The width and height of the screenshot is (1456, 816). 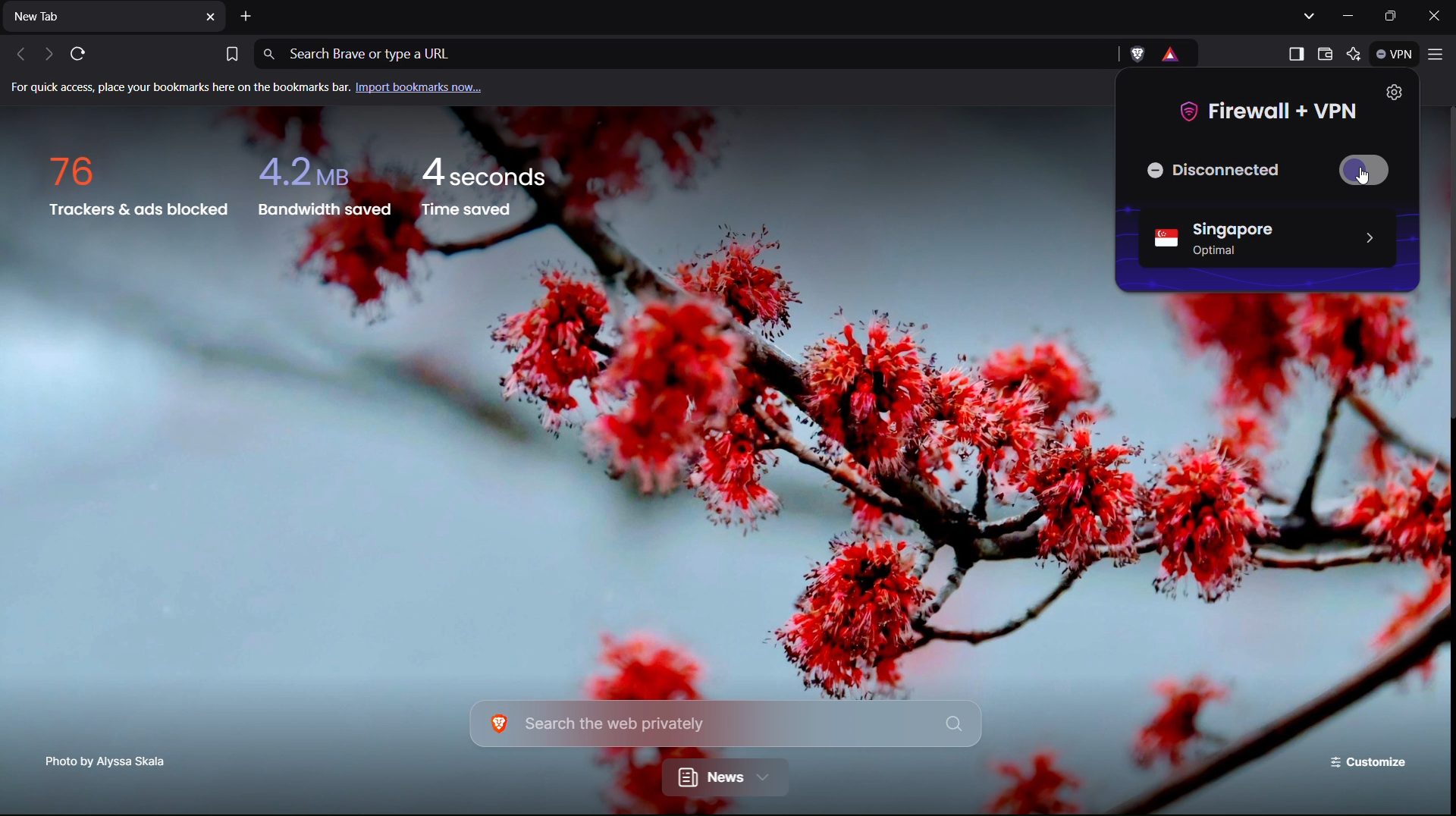 What do you see at coordinates (247, 17) in the screenshot?
I see `Add new tab` at bounding box center [247, 17].